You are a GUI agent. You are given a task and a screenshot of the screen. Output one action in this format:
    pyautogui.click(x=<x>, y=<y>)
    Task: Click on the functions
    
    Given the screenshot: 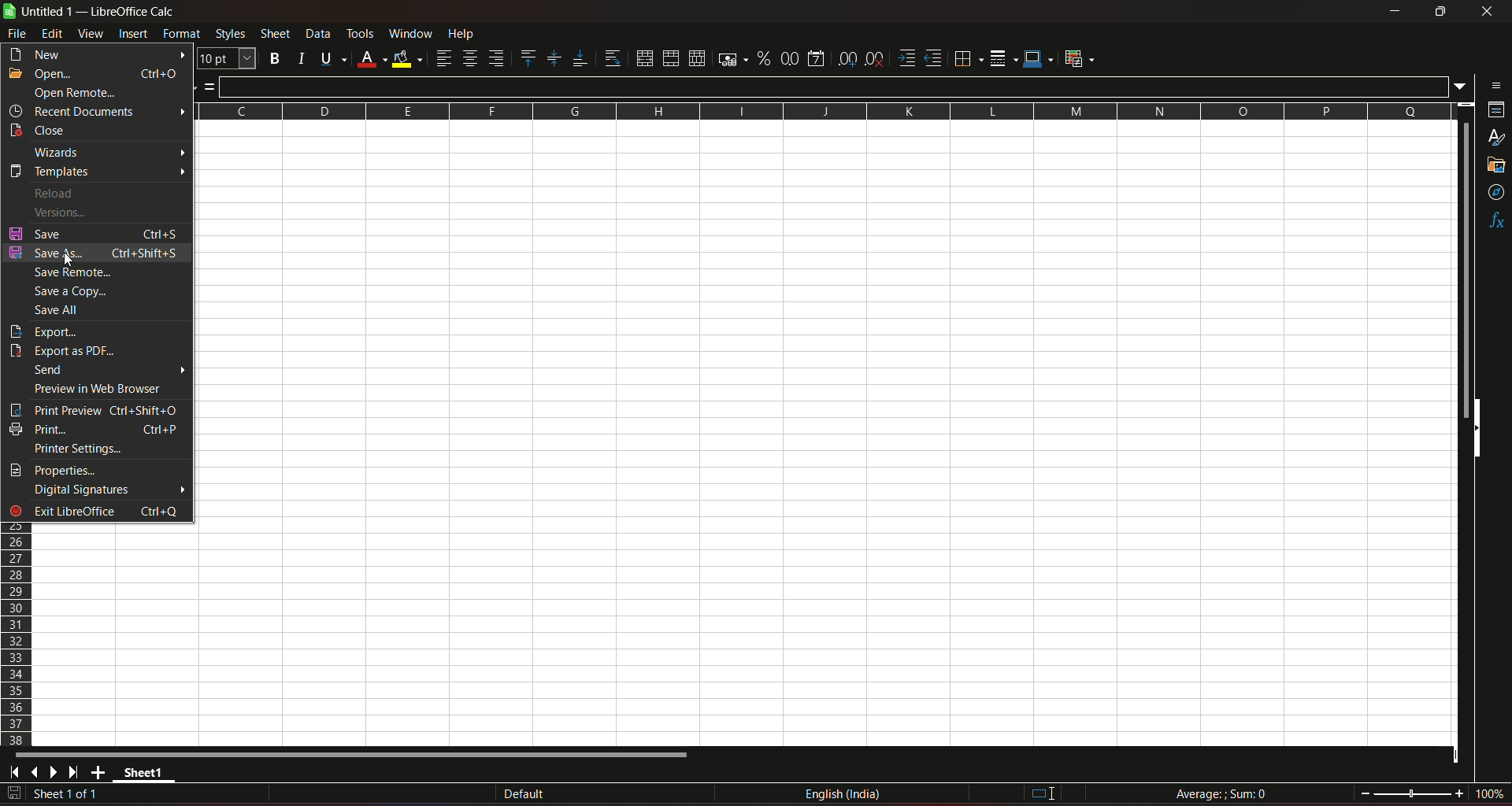 What is the action you would take?
    pyautogui.click(x=1495, y=221)
    